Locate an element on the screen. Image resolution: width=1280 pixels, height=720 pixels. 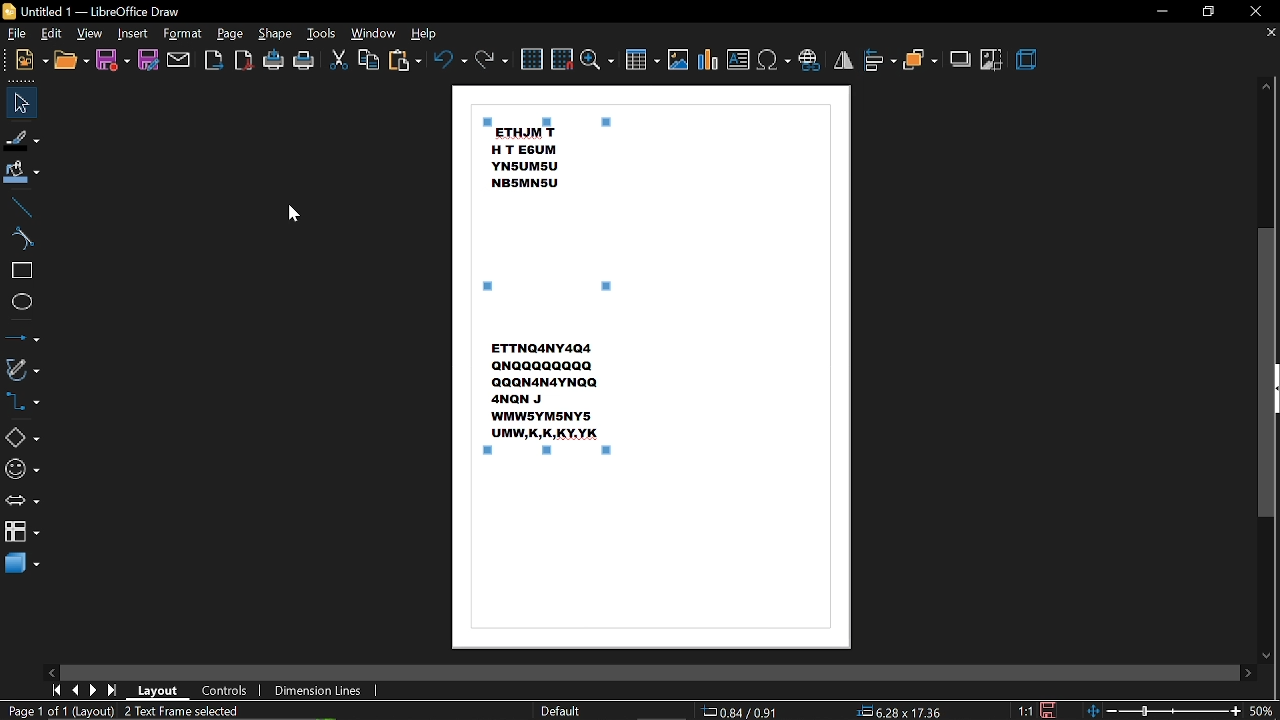
file is located at coordinates (18, 34).